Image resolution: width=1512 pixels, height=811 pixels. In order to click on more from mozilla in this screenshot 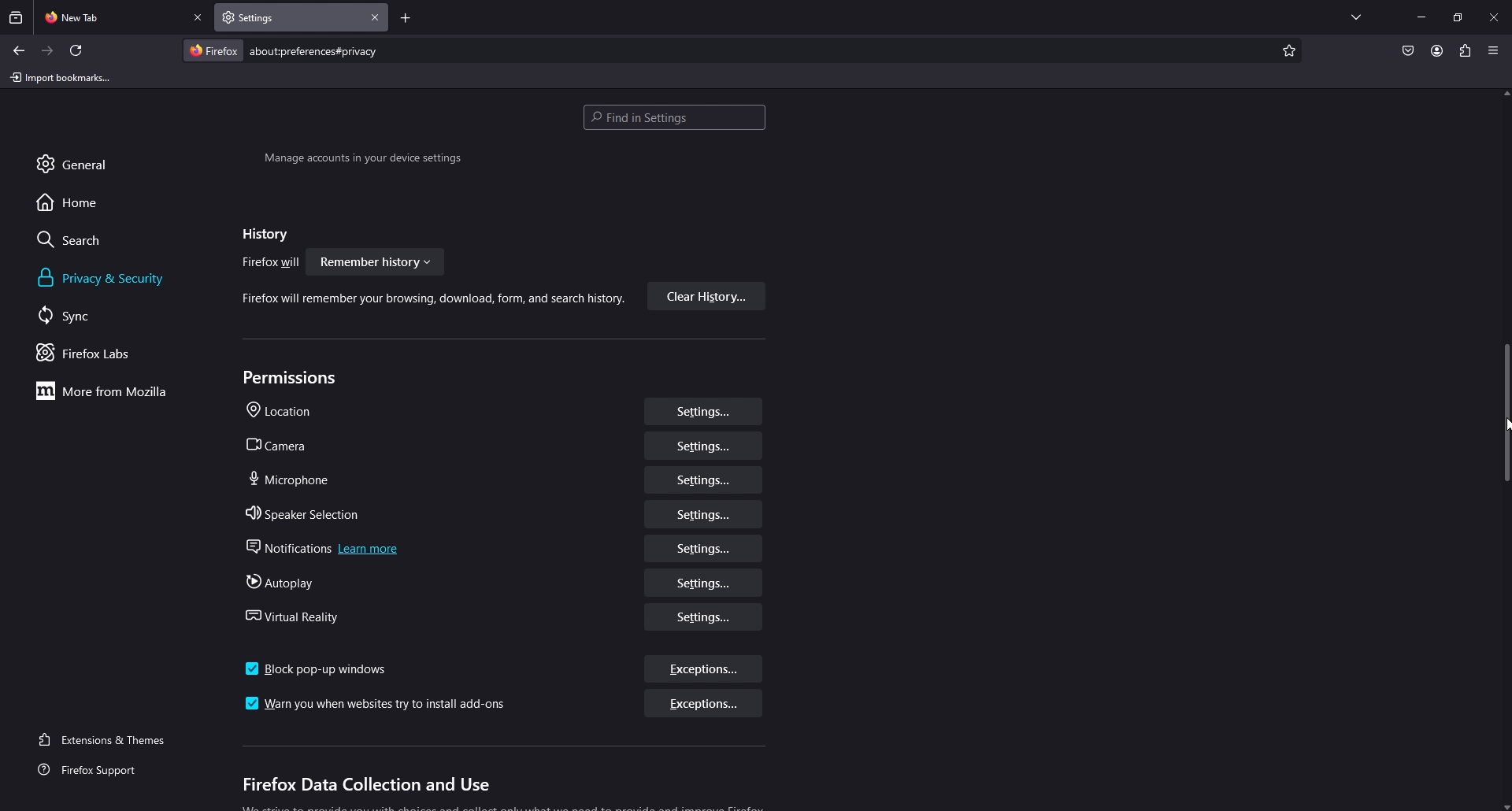, I will do `click(110, 391)`.